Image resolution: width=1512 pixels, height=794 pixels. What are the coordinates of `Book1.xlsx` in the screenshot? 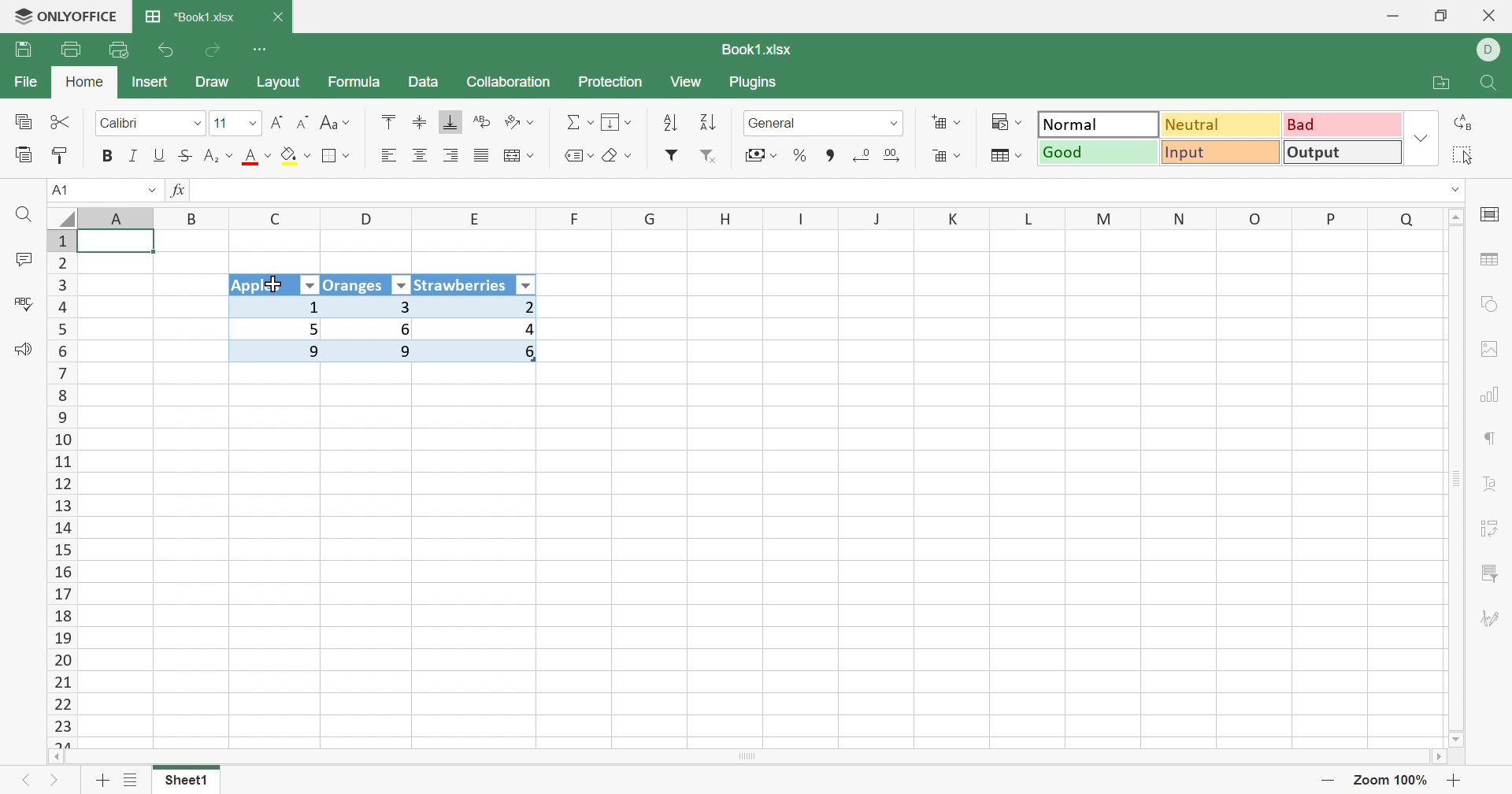 It's located at (754, 50).